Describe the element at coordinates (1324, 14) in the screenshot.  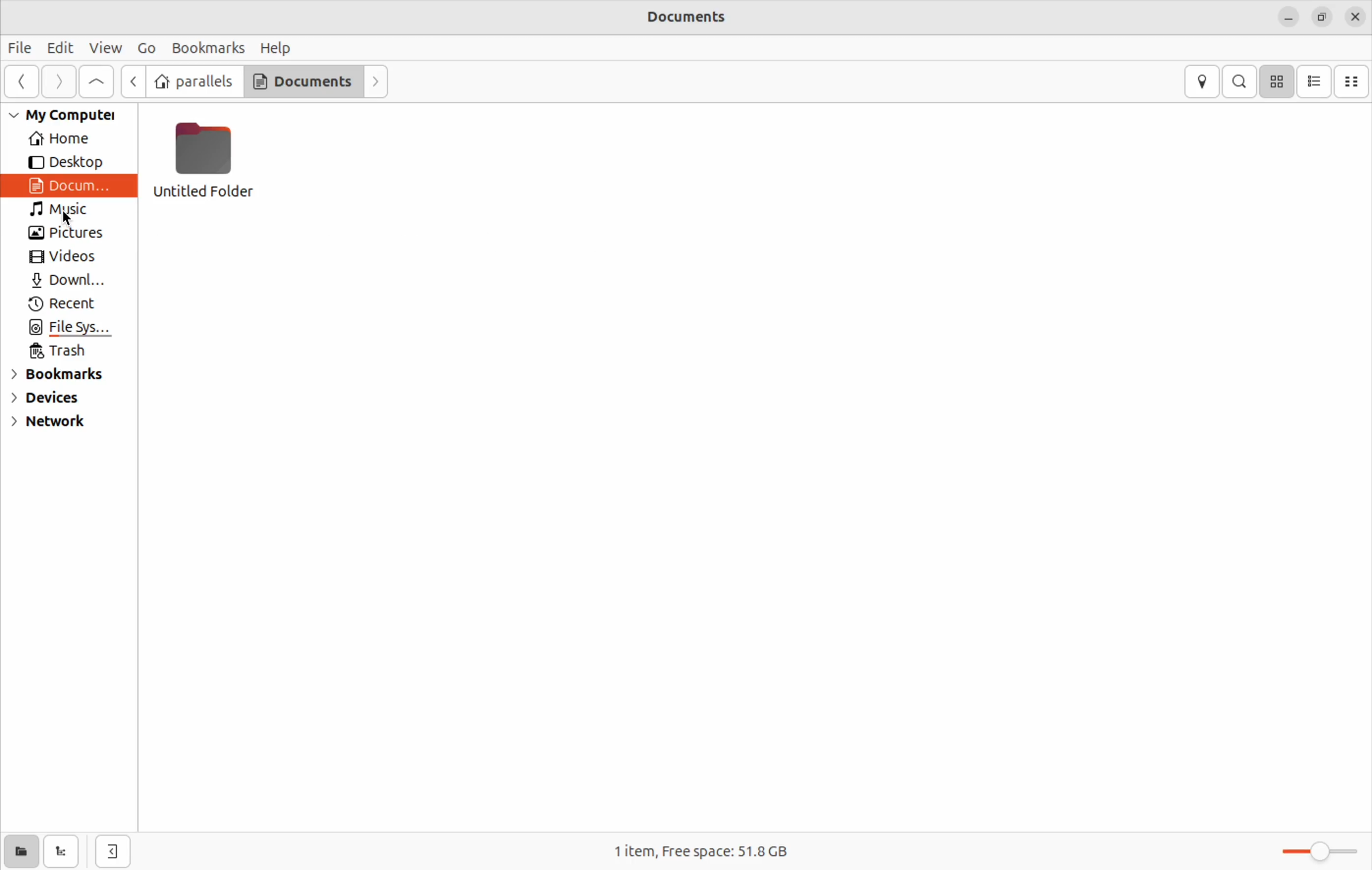
I see `resize` at that location.